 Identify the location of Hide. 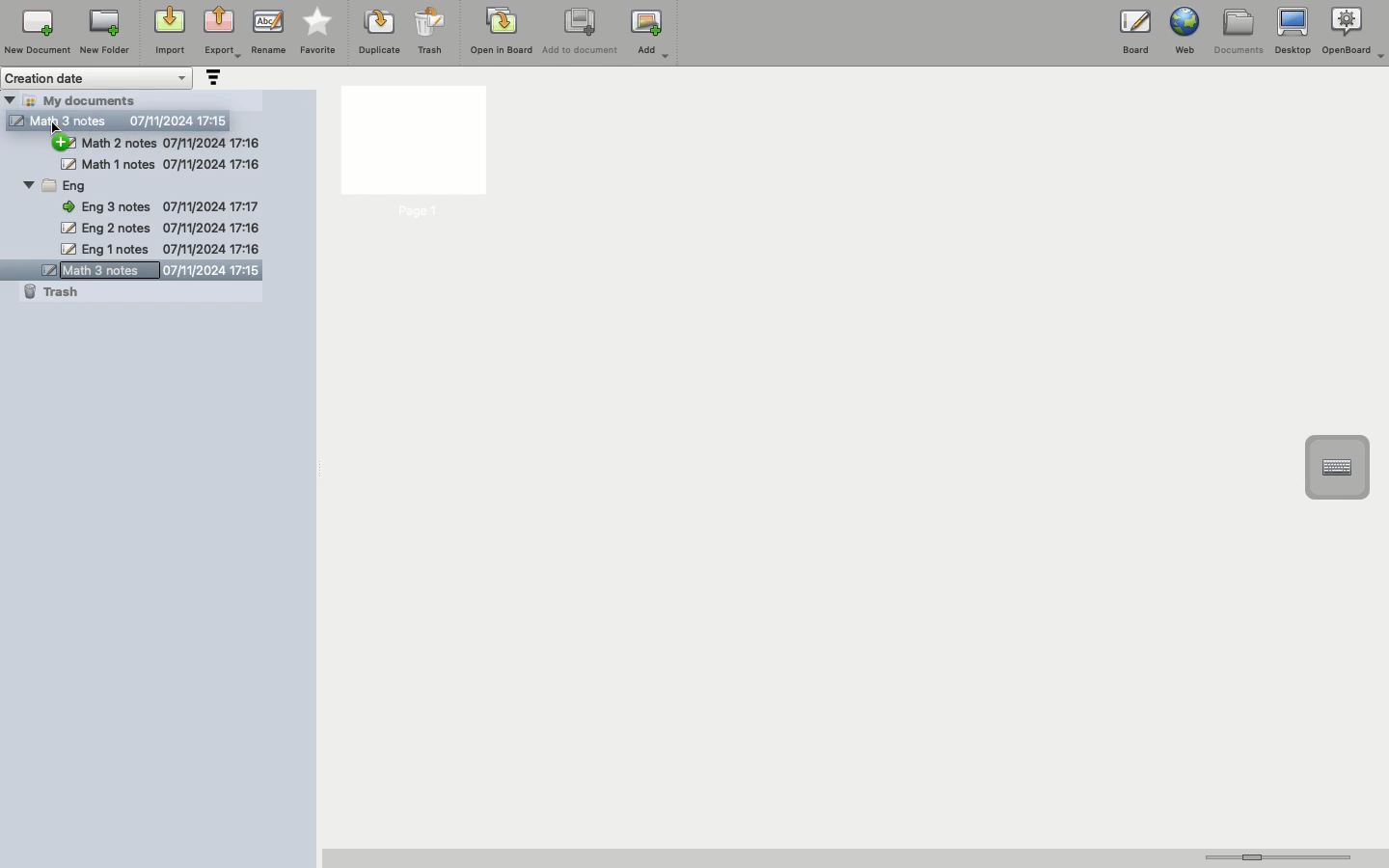
(10, 99).